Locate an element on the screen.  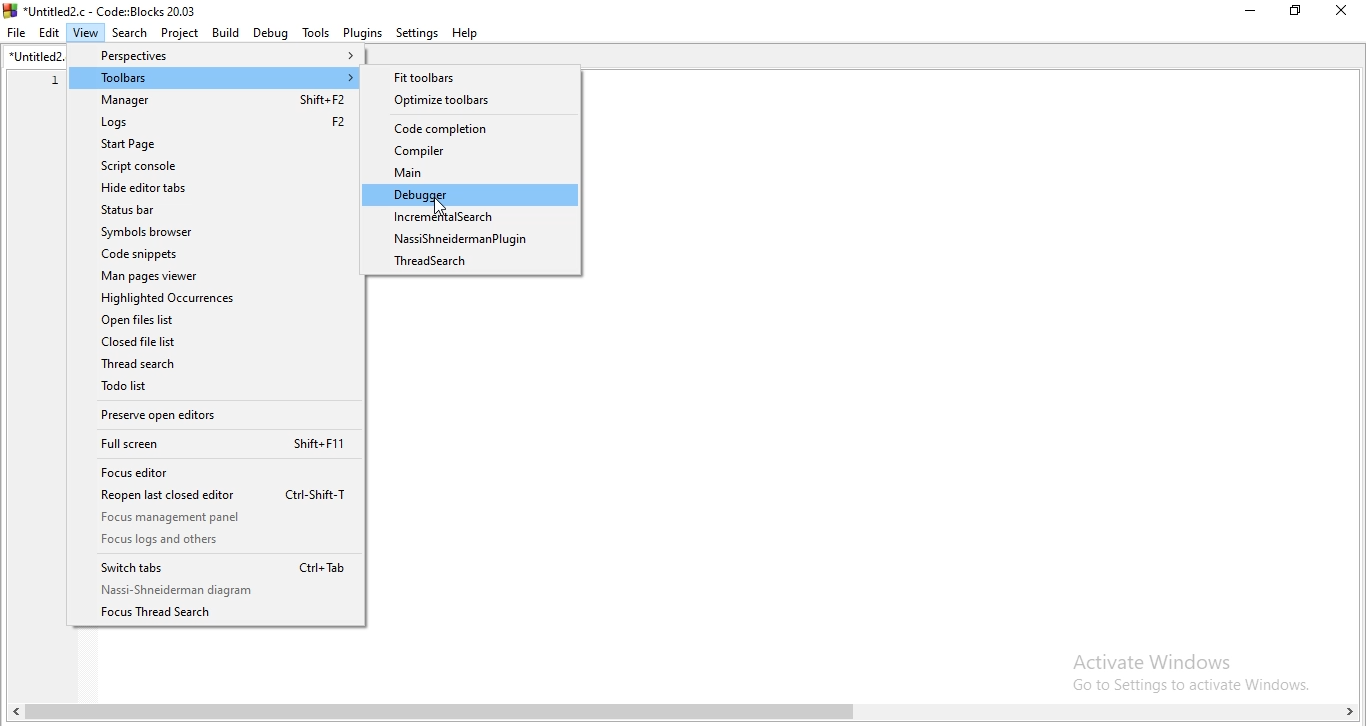
Nas-Shneiderman diagram is located at coordinates (227, 591).